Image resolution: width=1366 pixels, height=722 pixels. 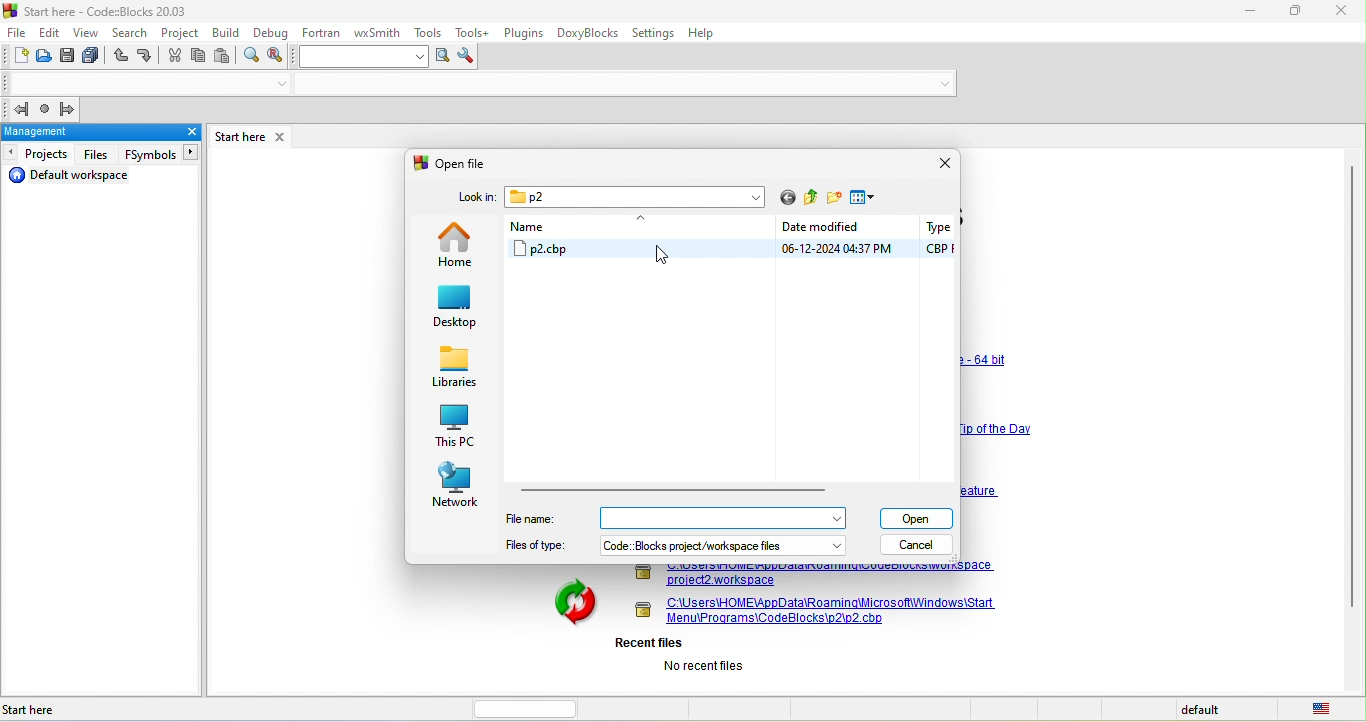 I want to click on build, so click(x=228, y=35).